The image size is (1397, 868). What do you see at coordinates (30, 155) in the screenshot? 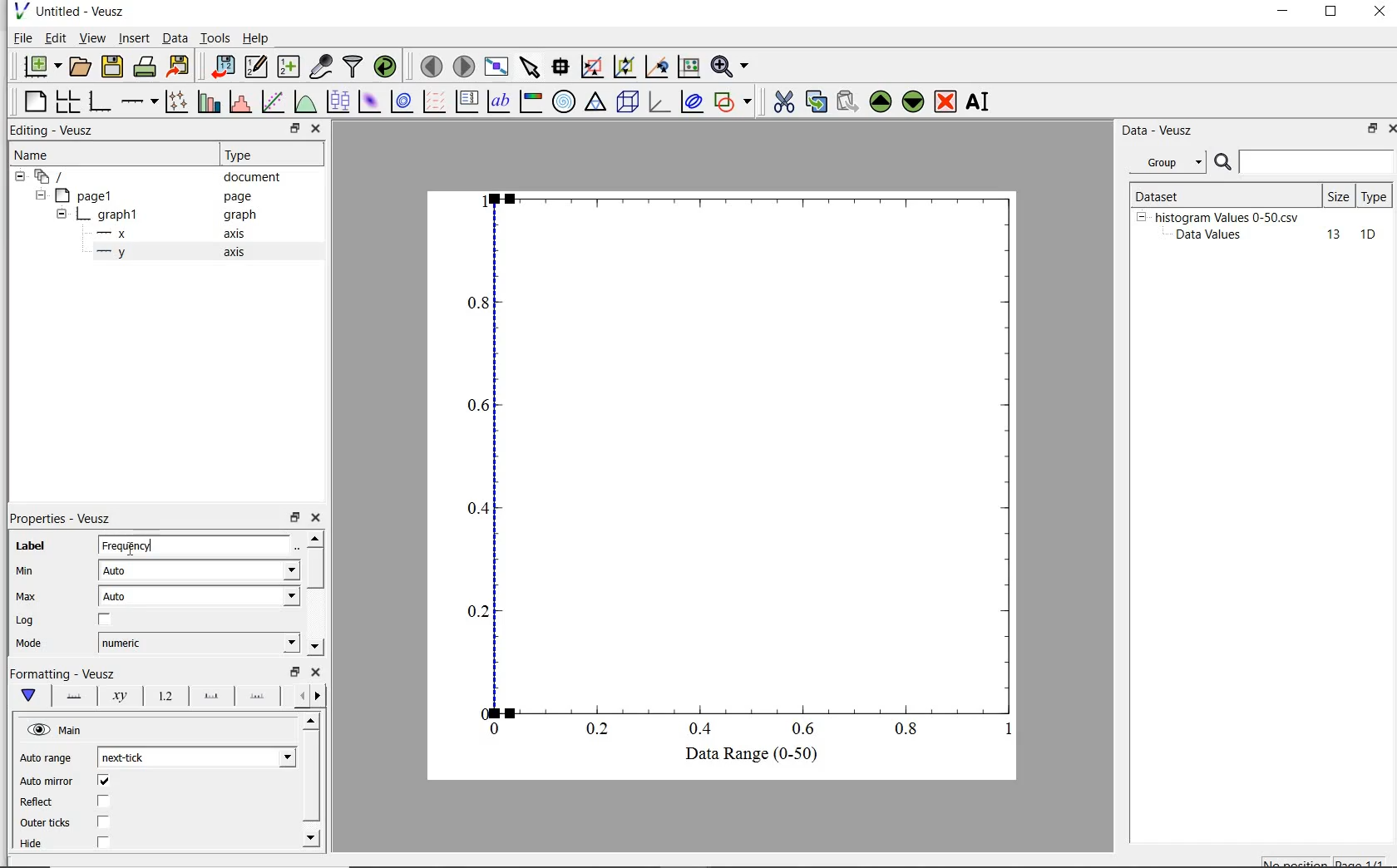
I see `name` at bounding box center [30, 155].